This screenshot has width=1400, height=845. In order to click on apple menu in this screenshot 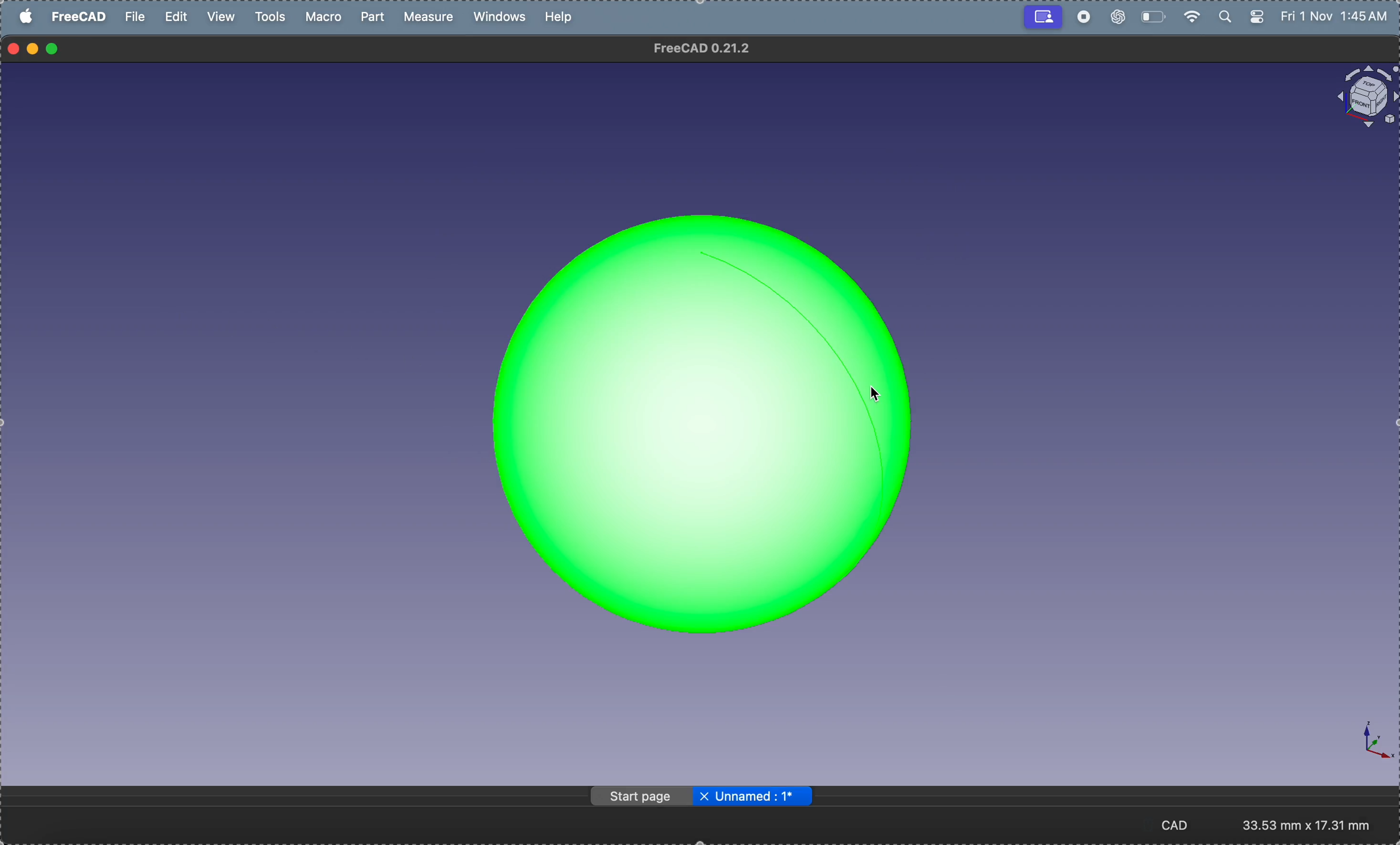, I will do `click(27, 15)`.